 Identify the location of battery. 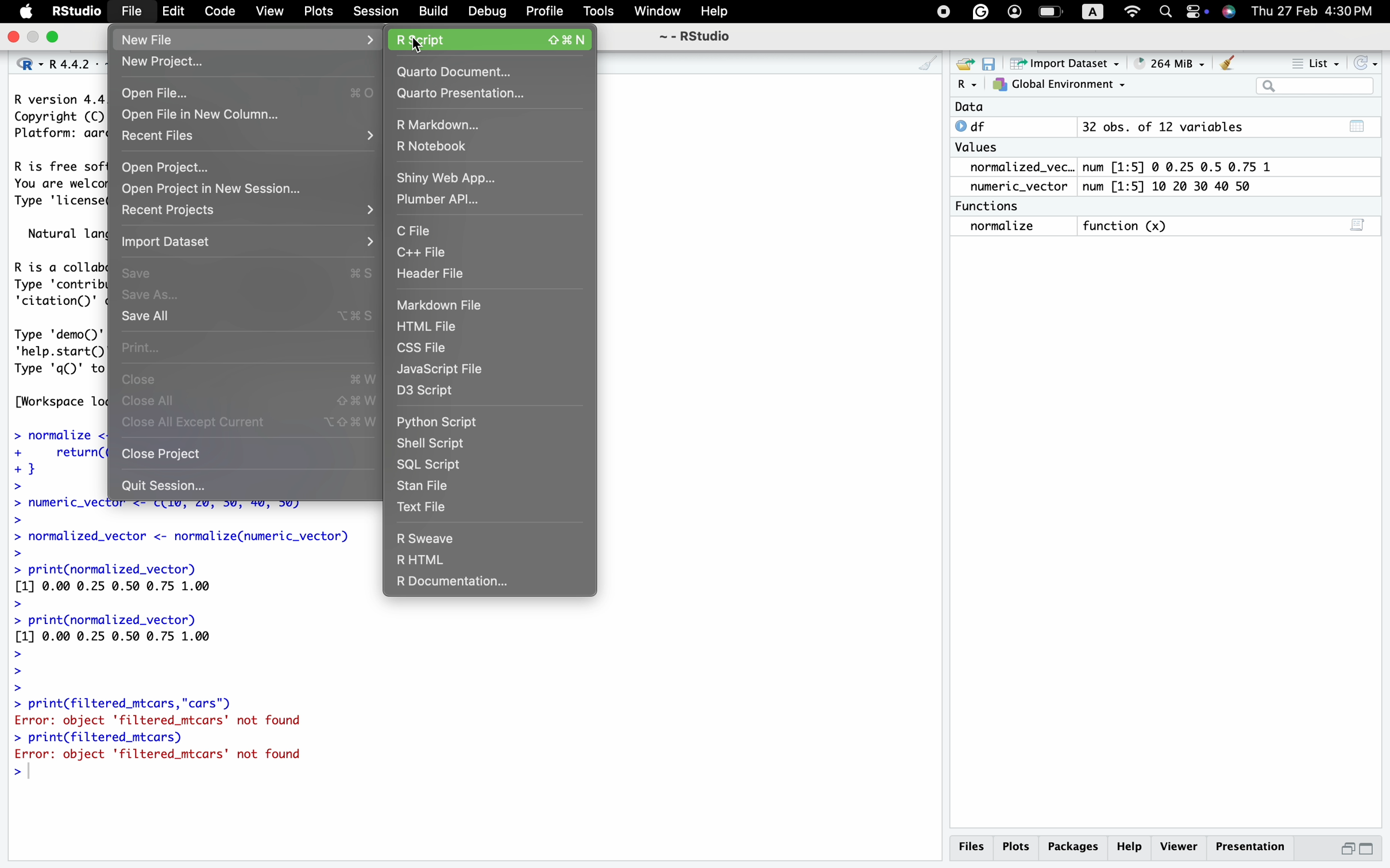
(1051, 12).